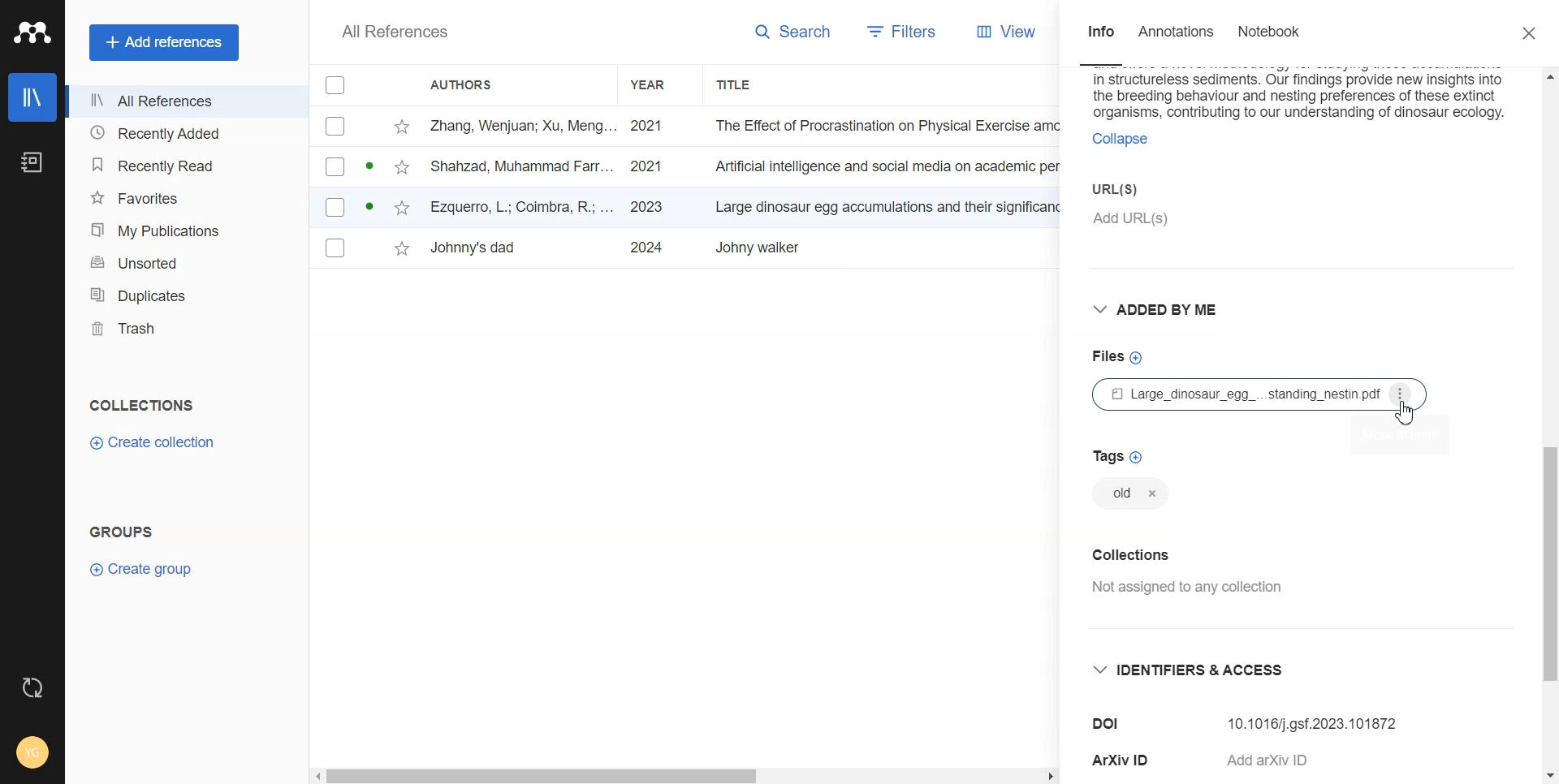  Describe the element at coordinates (1118, 455) in the screenshot. I see `Add Tags` at that location.